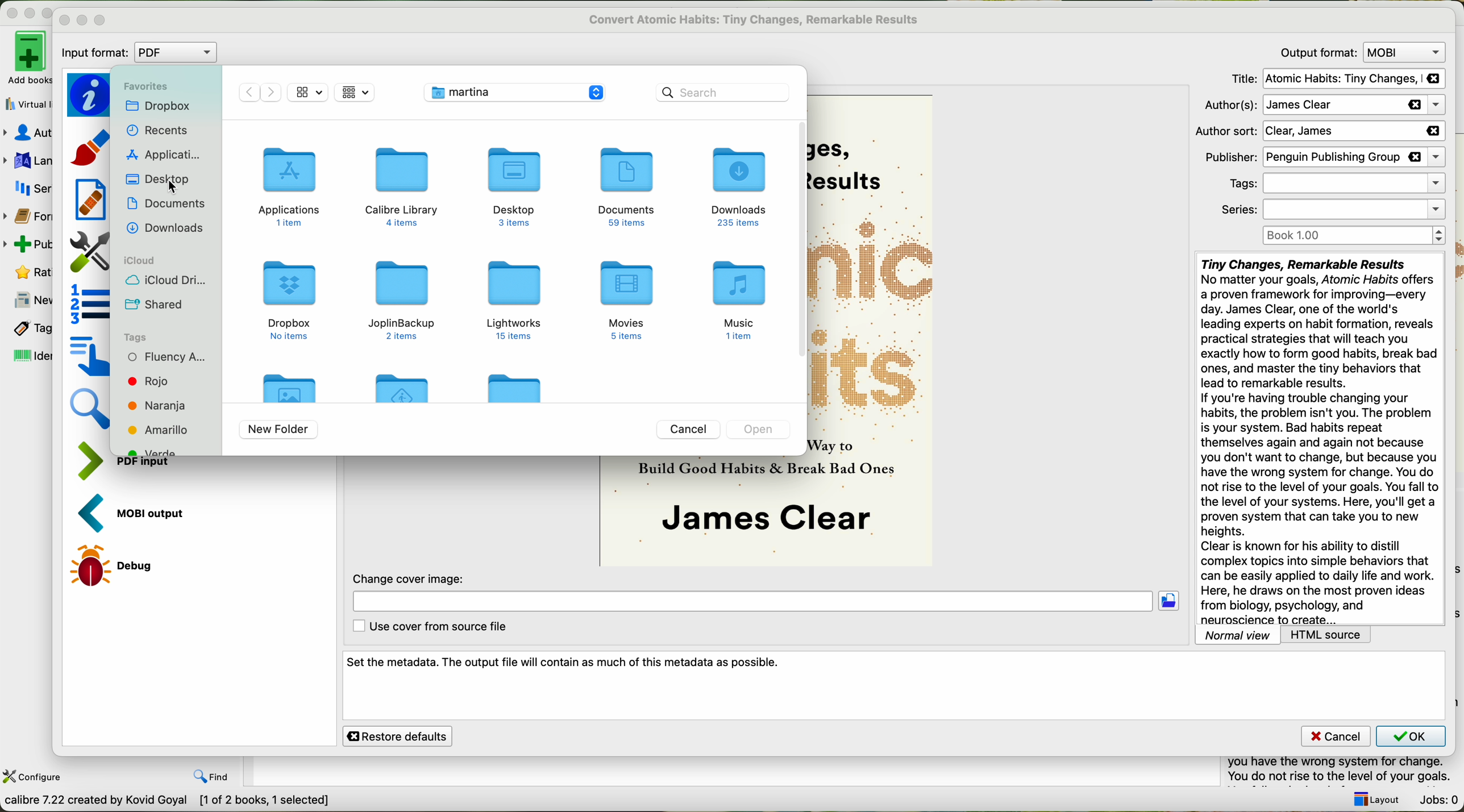 The height and width of the screenshot is (812, 1464). What do you see at coordinates (398, 300) in the screenshot?
I see `JoplinBackup` at bounding box center [398, 300].